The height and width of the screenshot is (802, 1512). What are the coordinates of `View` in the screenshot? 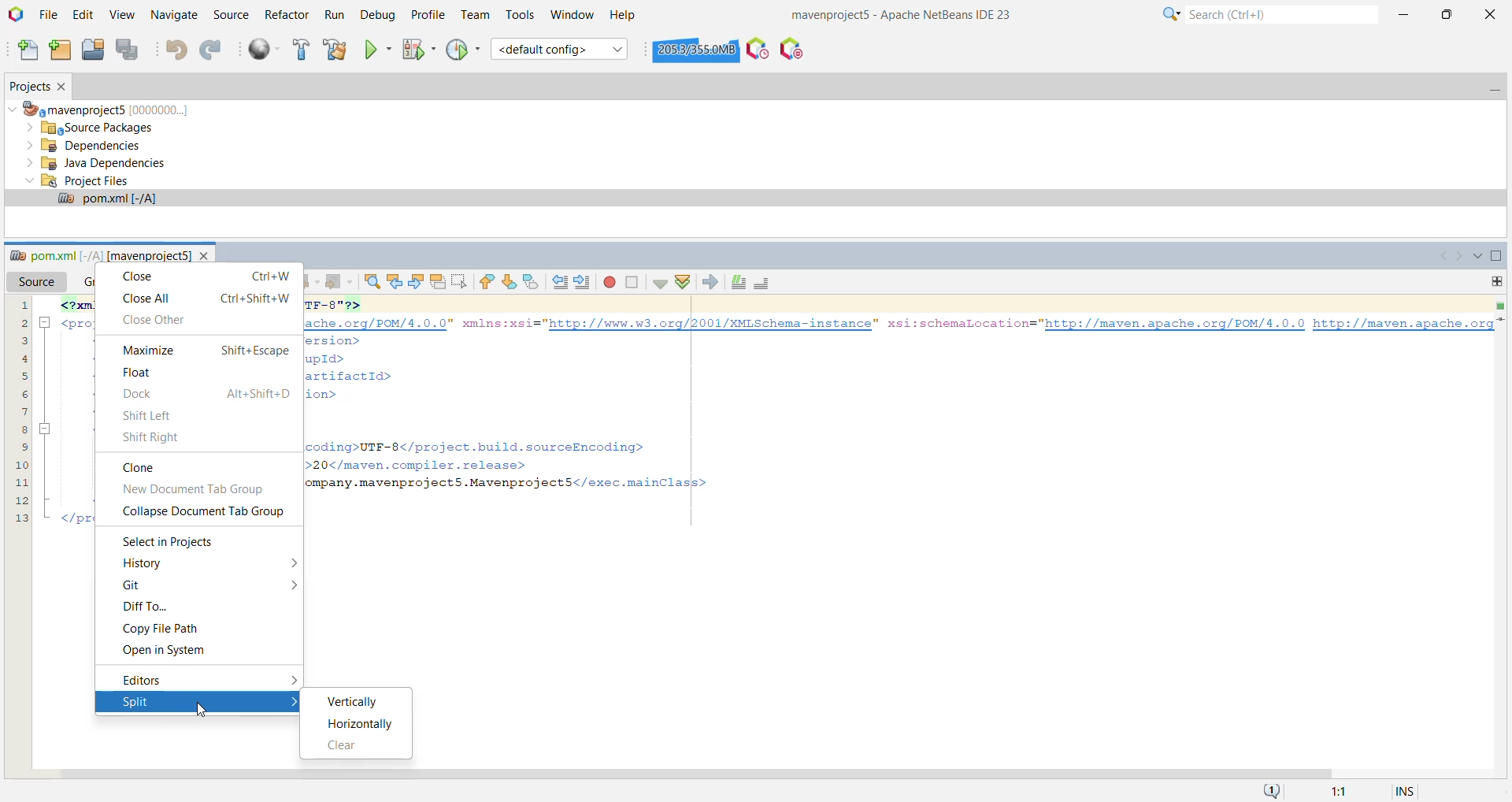 It's located at (124, 15).